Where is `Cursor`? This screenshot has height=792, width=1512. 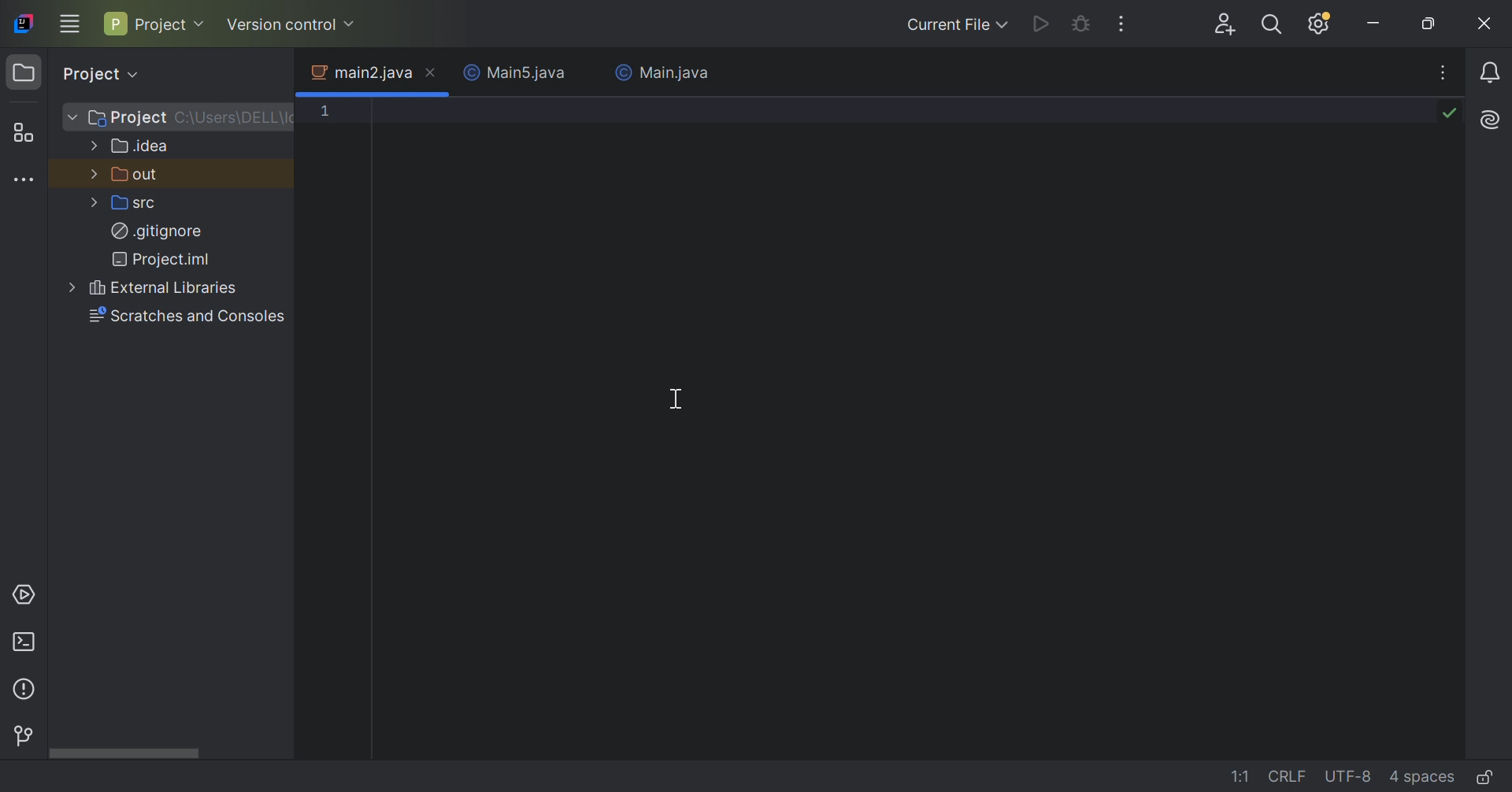
Cursor is located at coordinates (678, 401).